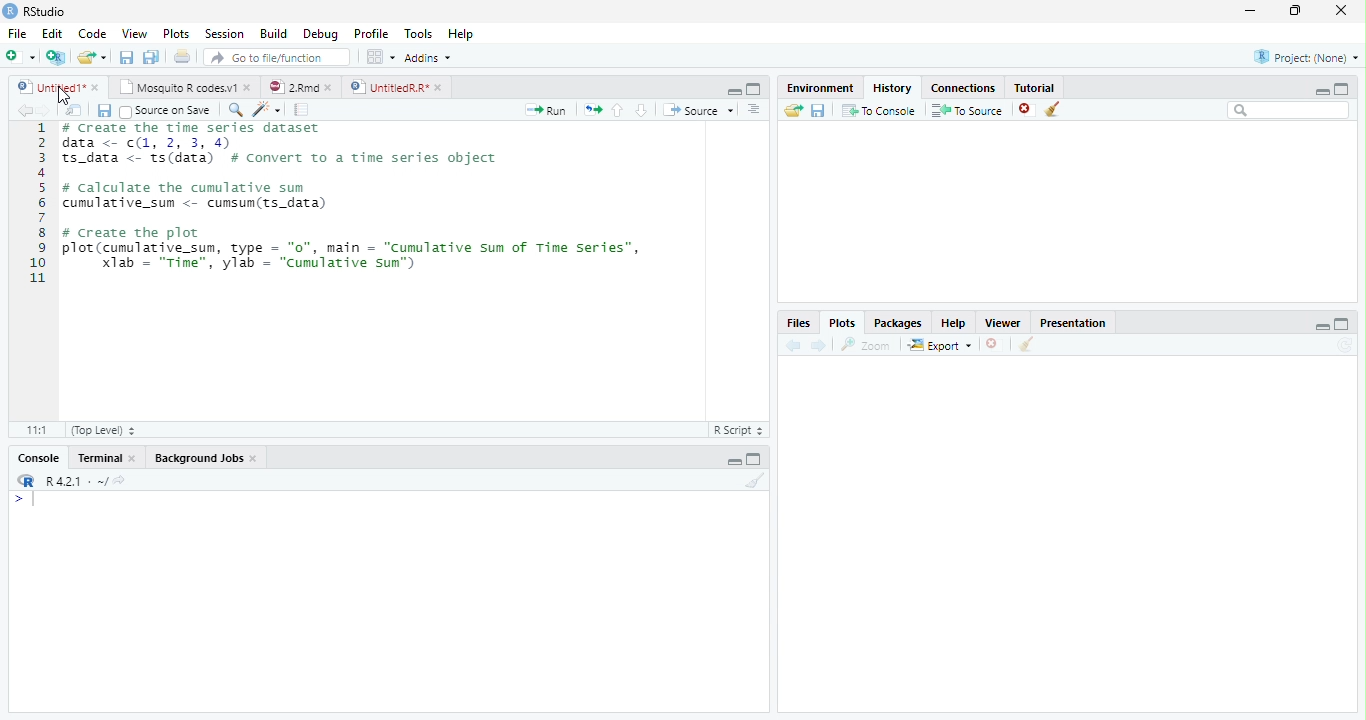  What do you see at coordinates (55, 36) in the screenshot?
I see `Edit` at bounding box center [55, 36].